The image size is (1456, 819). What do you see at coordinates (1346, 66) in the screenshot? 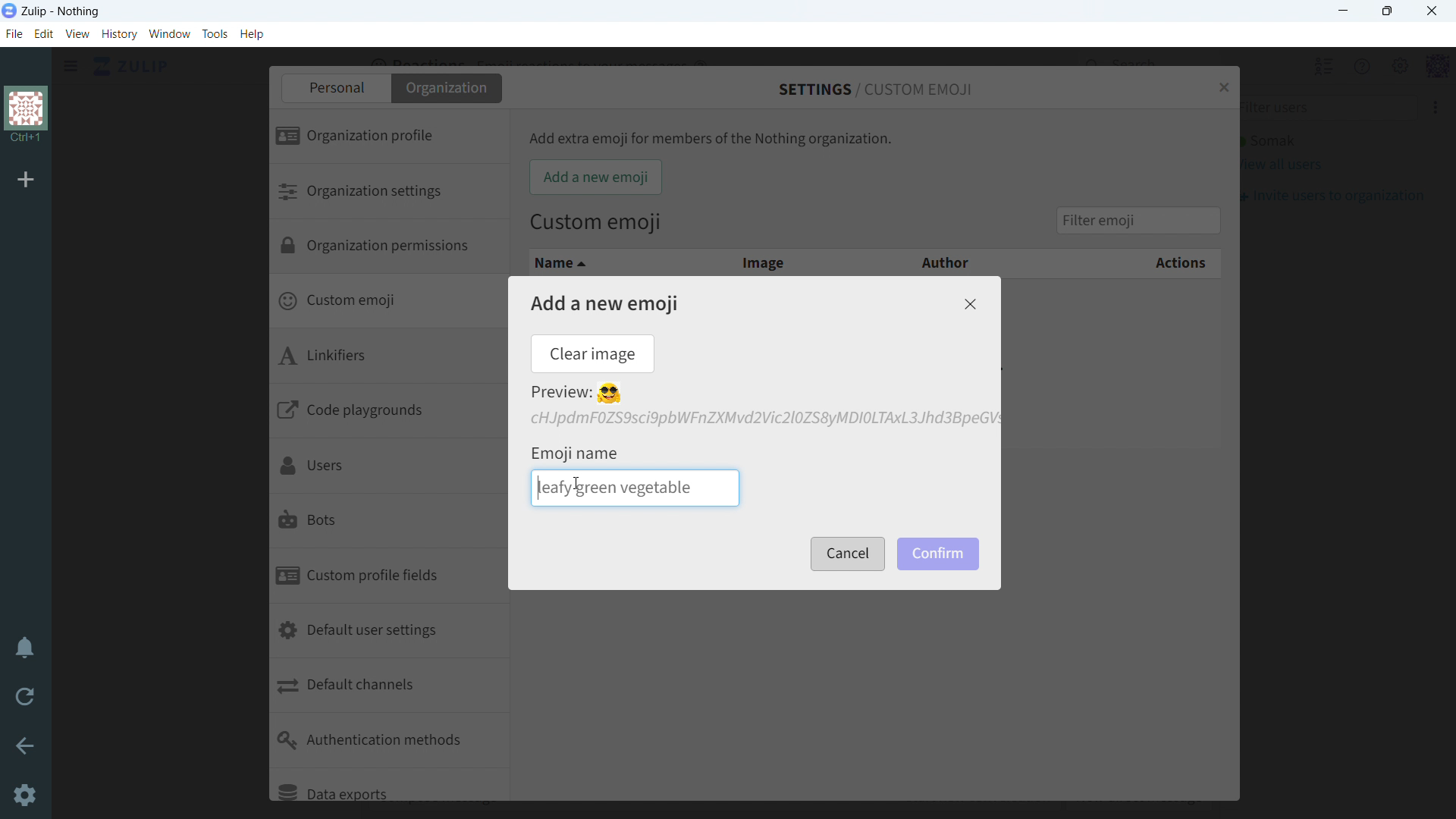
I see `help menu` at bounding box center [1346, 66].